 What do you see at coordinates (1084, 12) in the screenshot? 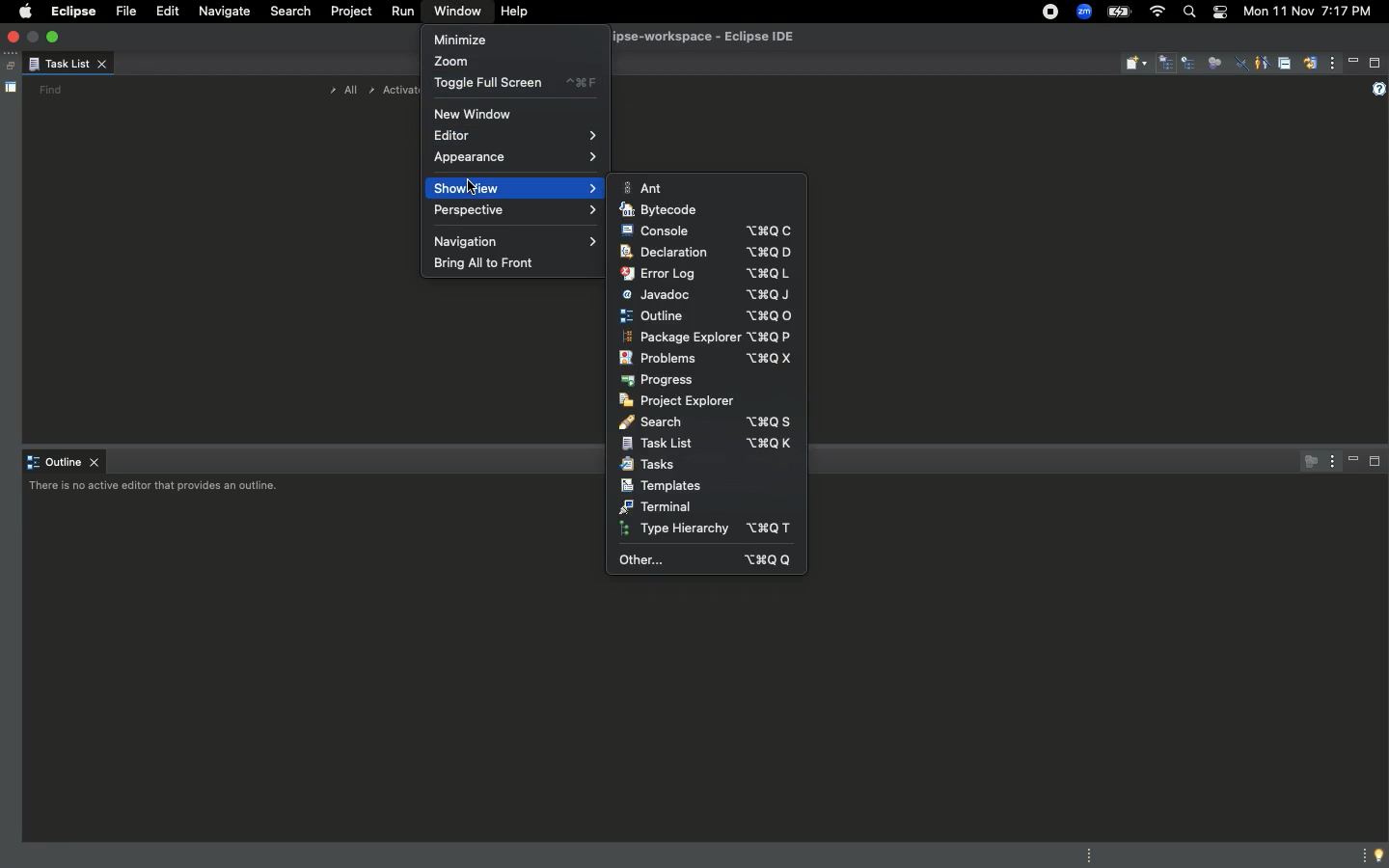
I see `Zoom` at bounding box center [1084, 12].